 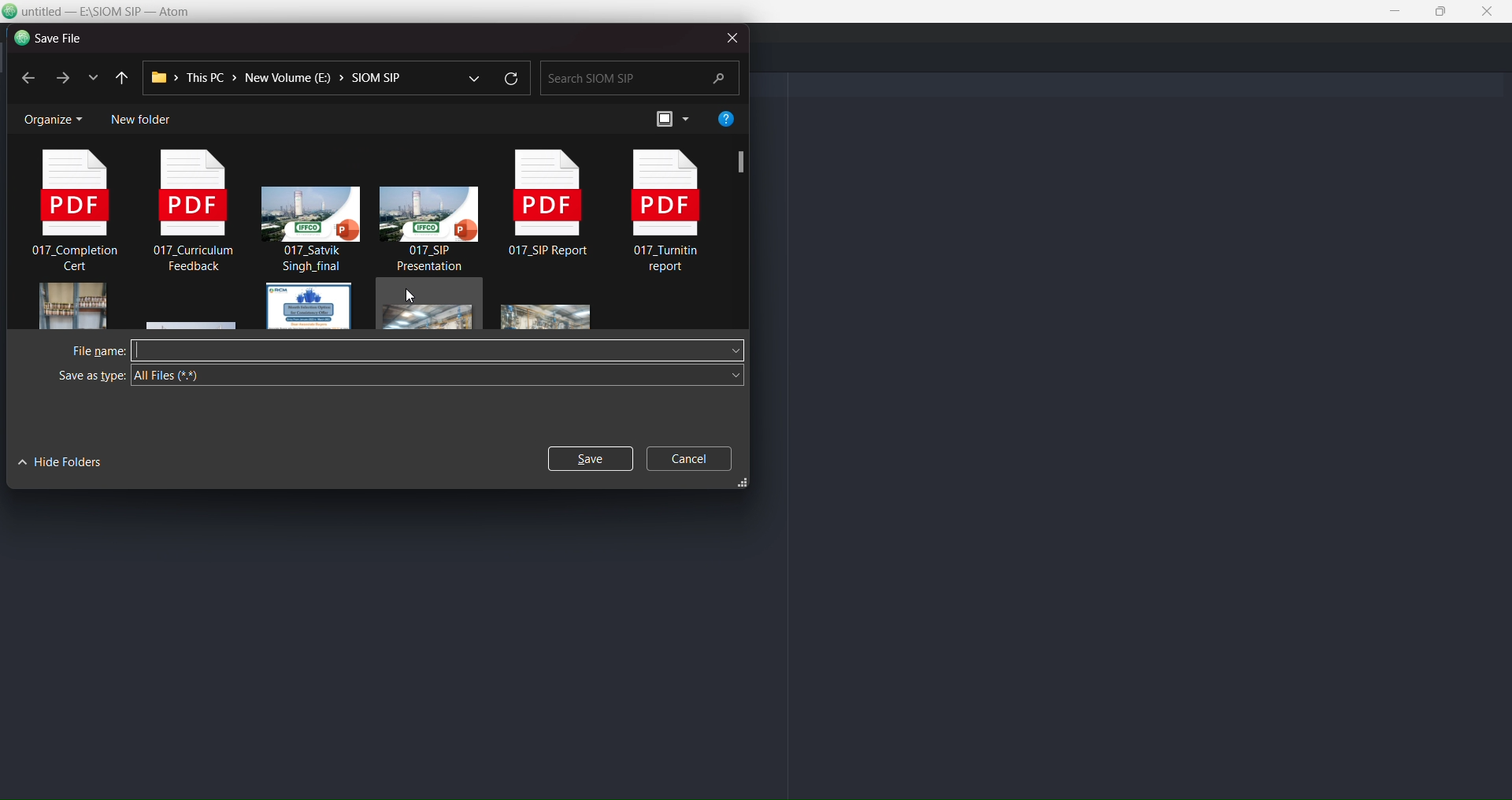 I want to click on file, so click(x=188, y=326).